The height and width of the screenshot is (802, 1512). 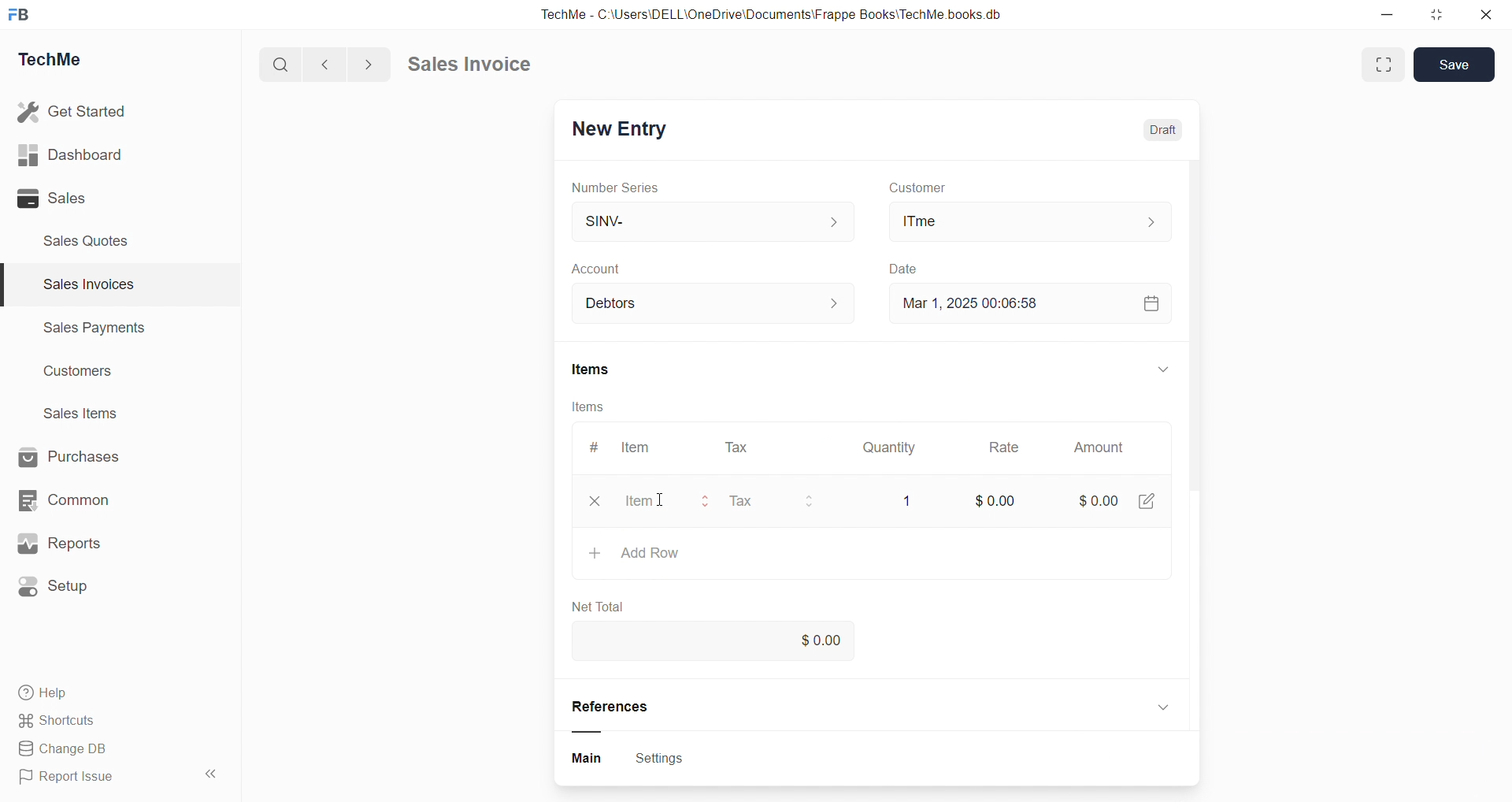 What do you see at coordinates (1028, 221) in the screenshot?
I see `ITme|` at bounding box center [1028, 221].